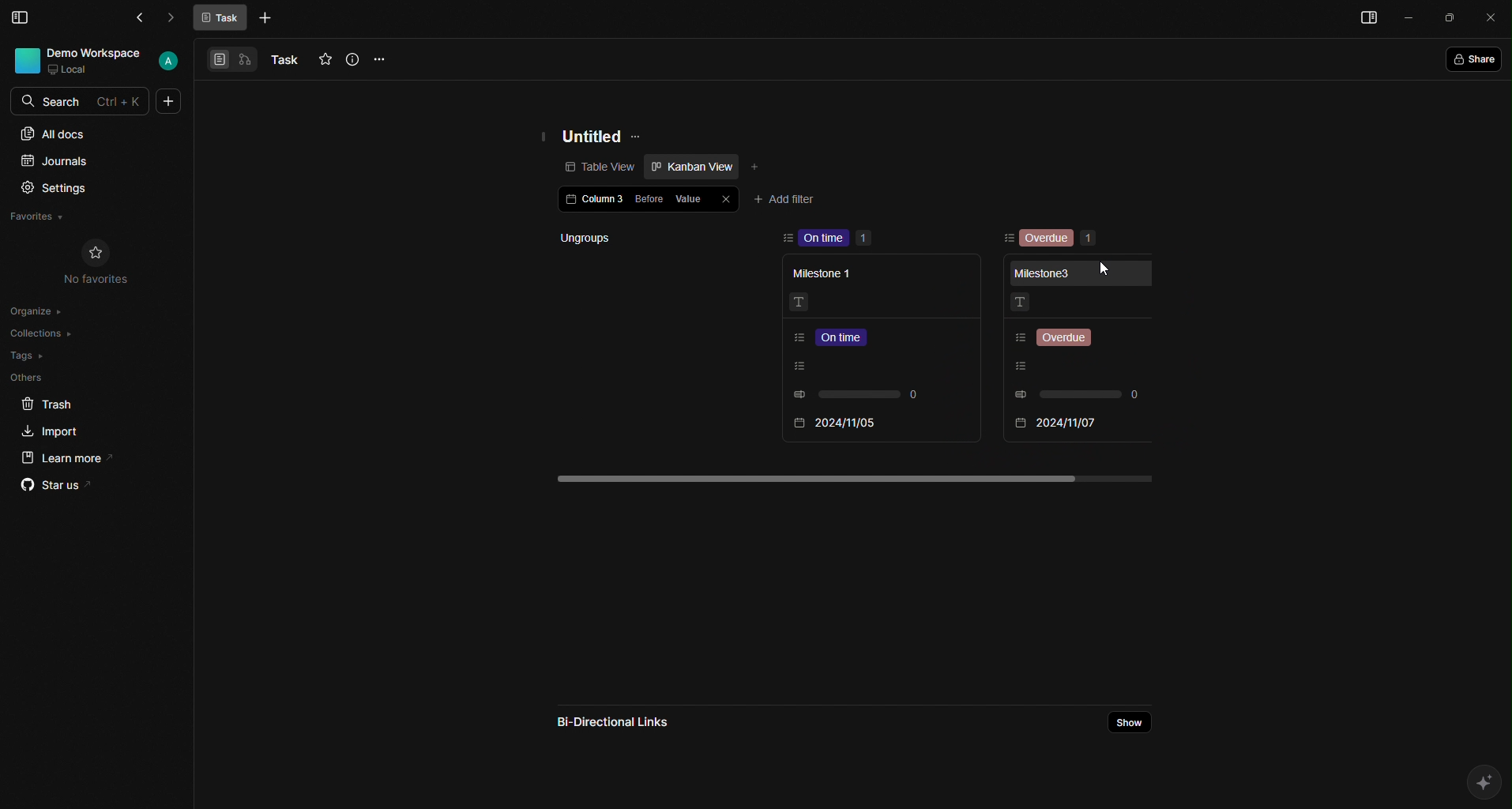  I want to click on Untitled, so click(592, 134).